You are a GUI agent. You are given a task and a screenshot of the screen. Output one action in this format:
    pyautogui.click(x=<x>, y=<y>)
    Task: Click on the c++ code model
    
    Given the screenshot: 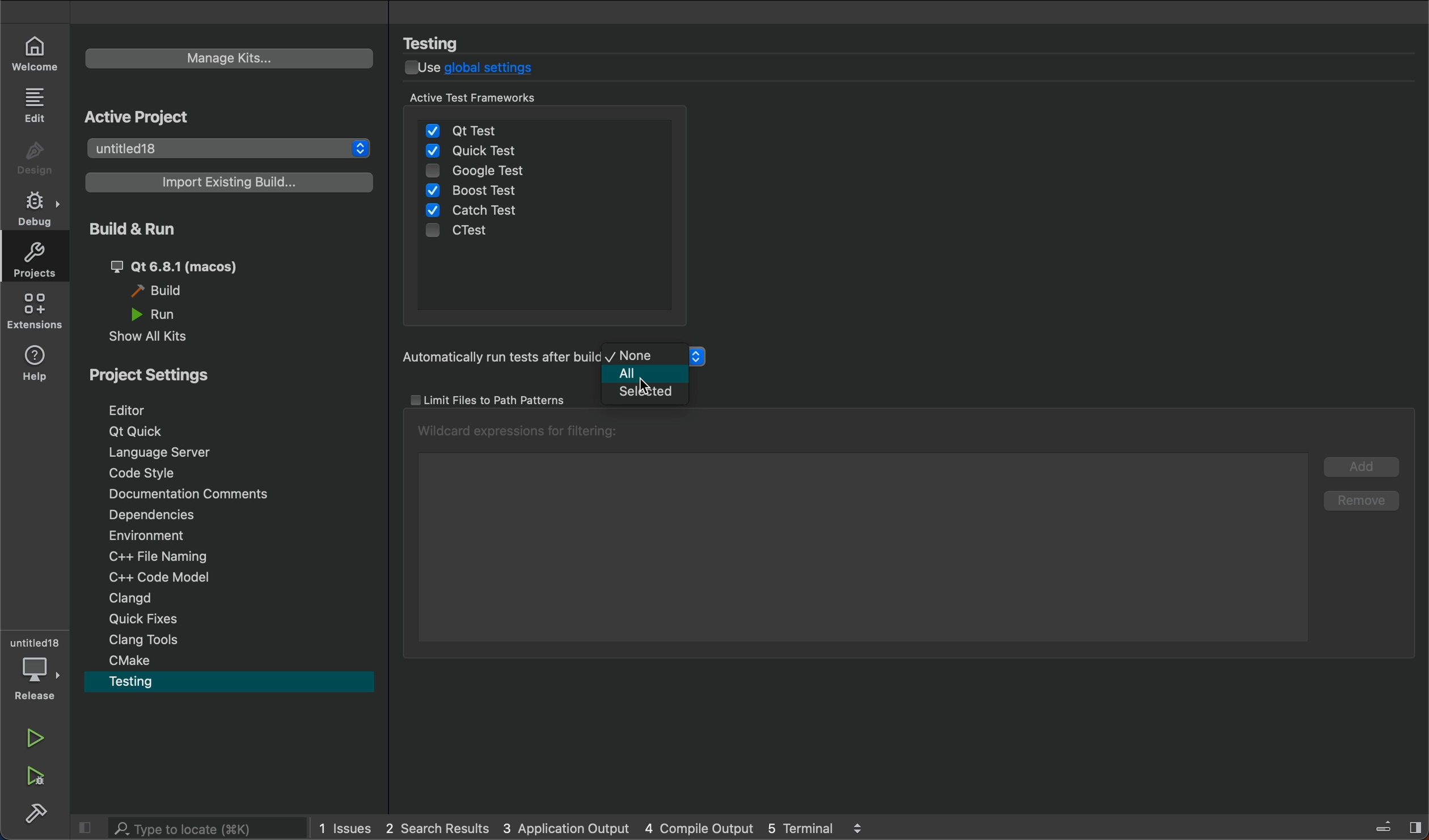 What is the action you would take?
    pyautogui.click(x=153, y=575)
    